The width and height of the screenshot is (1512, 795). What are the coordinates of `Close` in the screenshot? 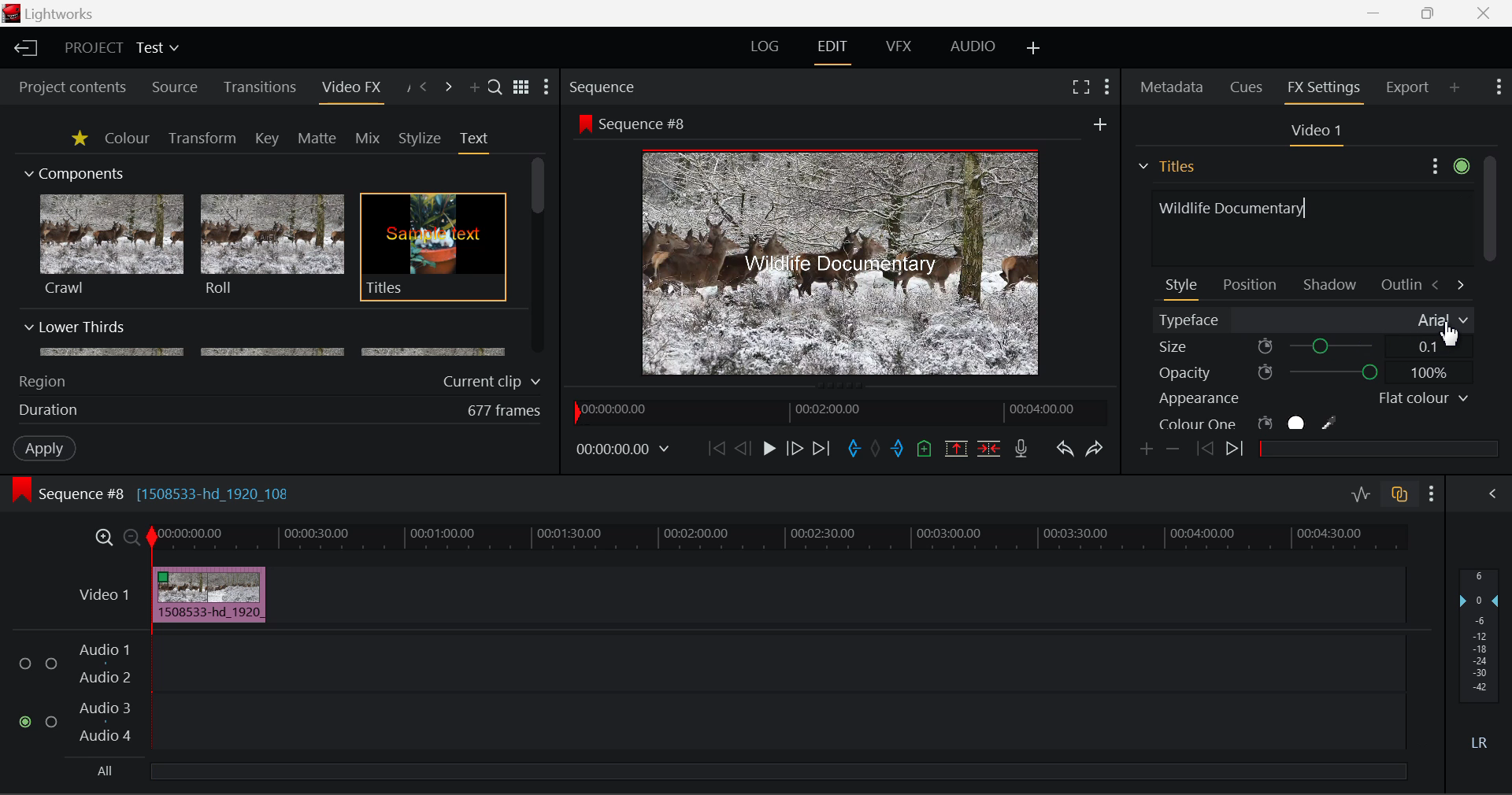 It's located at (1484, 12).